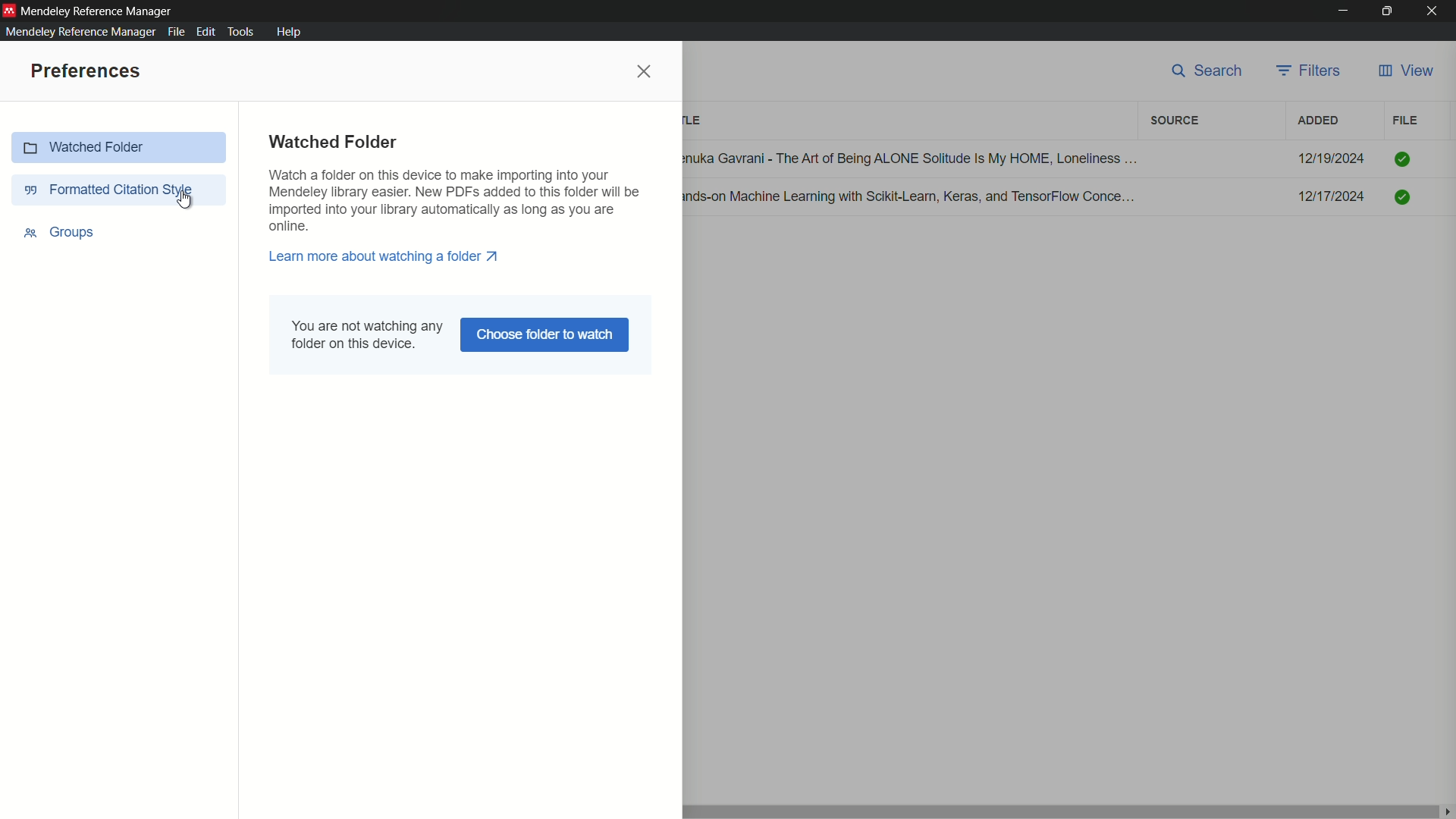 The image size is (1456, 819). What do you see at coordinates (61, 232) in the screenshot?
I see `groups` at bounding box center [61, 232].